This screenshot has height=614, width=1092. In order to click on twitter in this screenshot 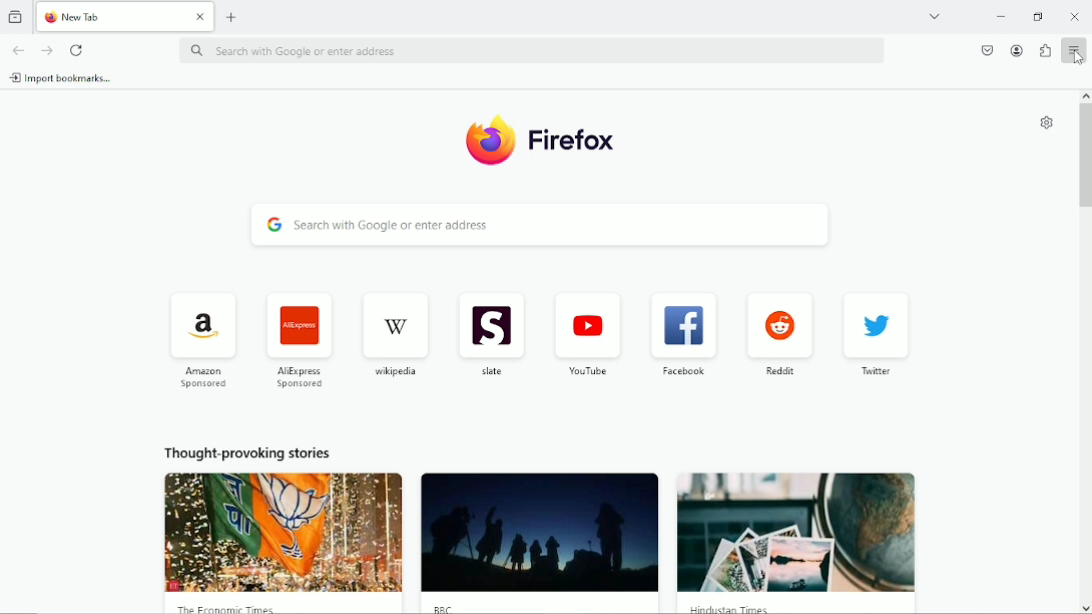, I will do `click(879, 321)`.